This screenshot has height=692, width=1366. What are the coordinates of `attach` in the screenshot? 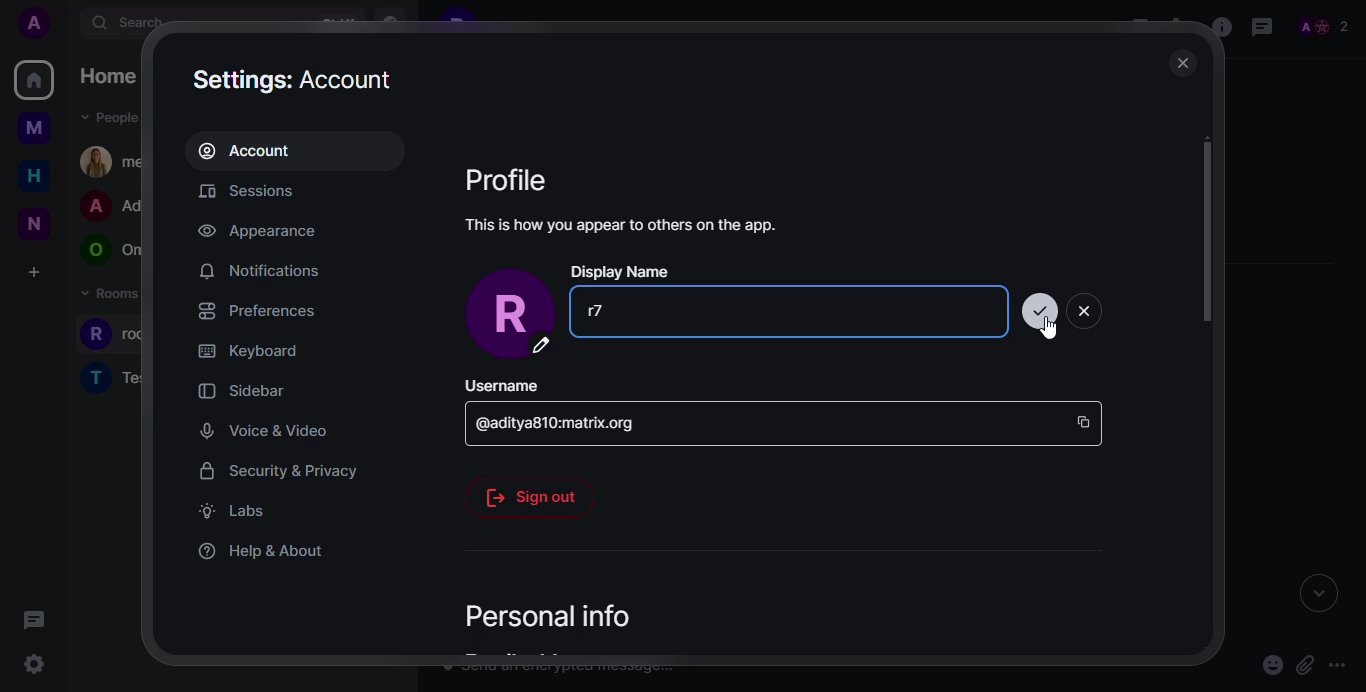 It's located at (1306, 666).